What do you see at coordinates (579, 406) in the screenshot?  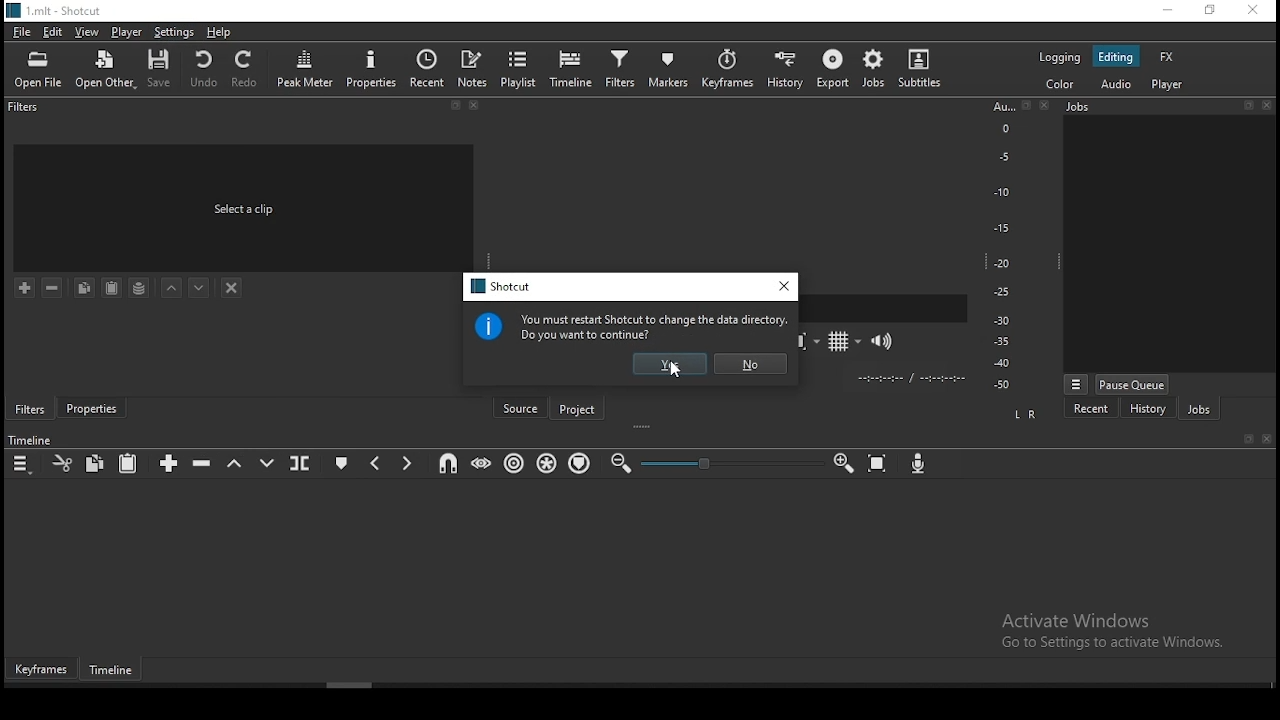 I see `project` at bounding box center [579, 406].